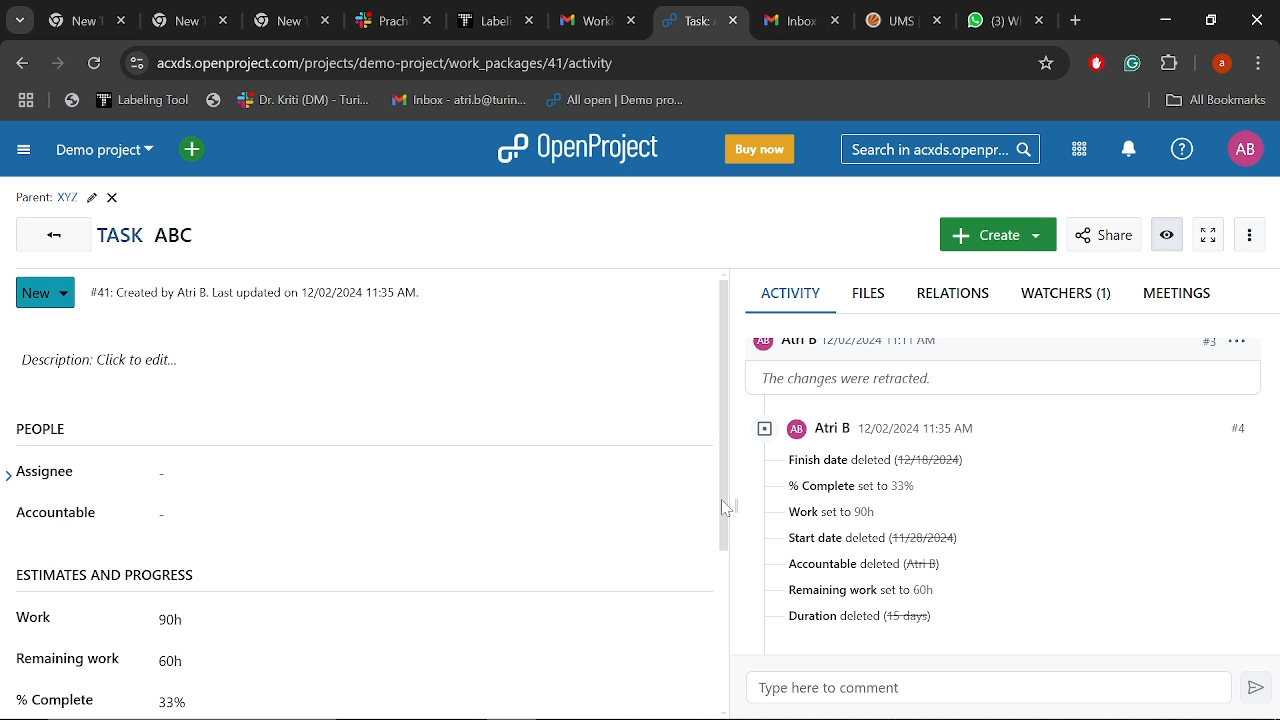  Describe the element at coordinates (690, 22) in the screenshot. I see `Current tab` at that location.